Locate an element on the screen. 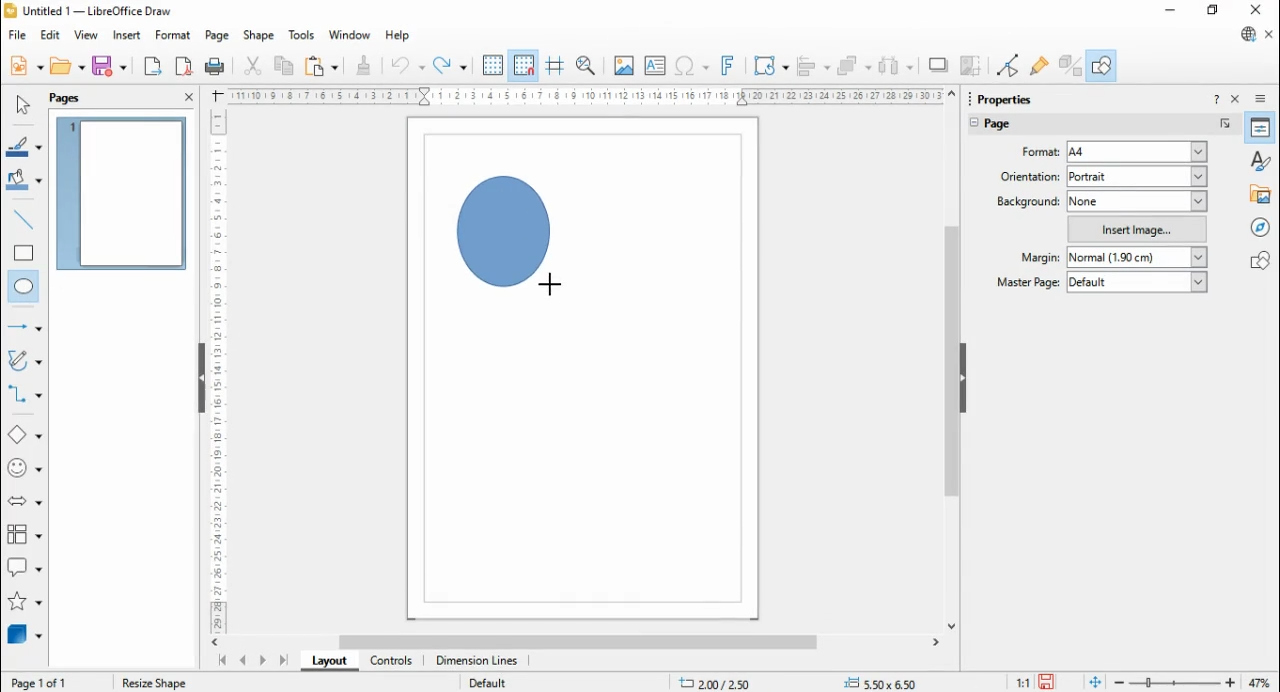 Image resolution: width=1280 pixels, height=692 pixels. scroll bar is located at coordinates (952, 359).